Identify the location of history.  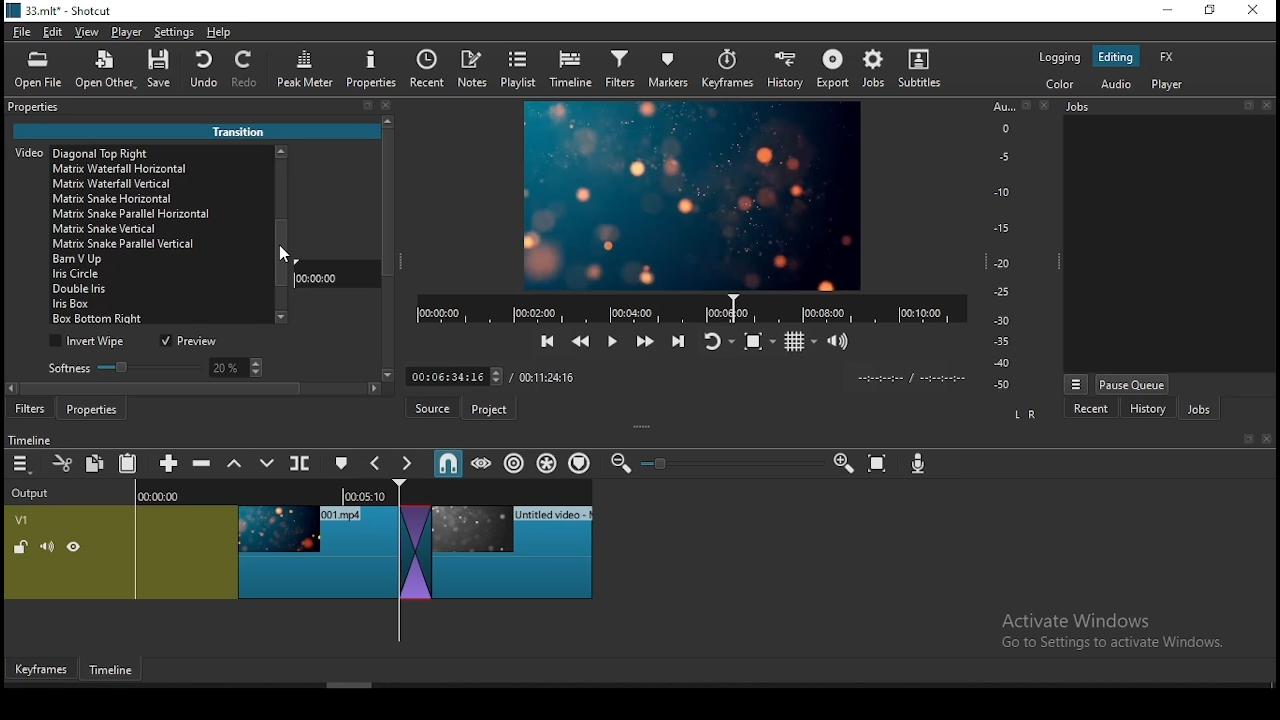
(1146, 409).